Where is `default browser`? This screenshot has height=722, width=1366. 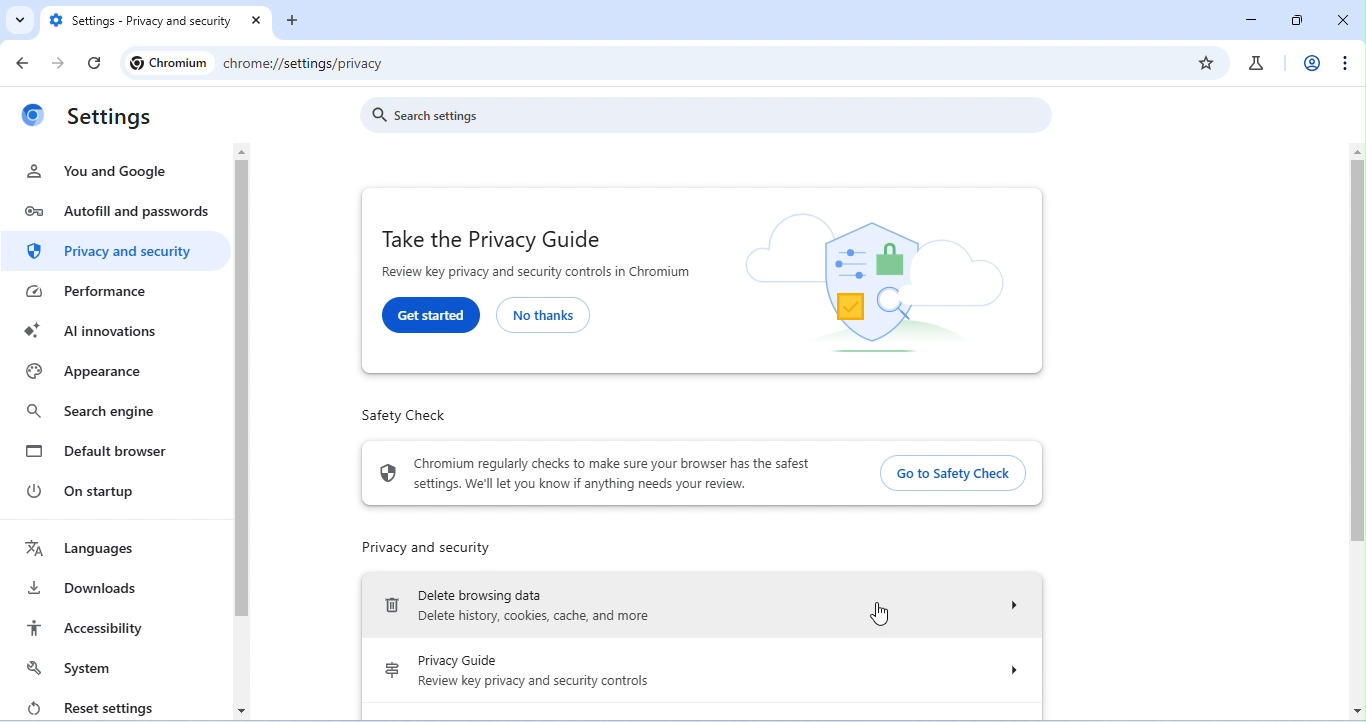
default browser is located at coordinates (100, 450).